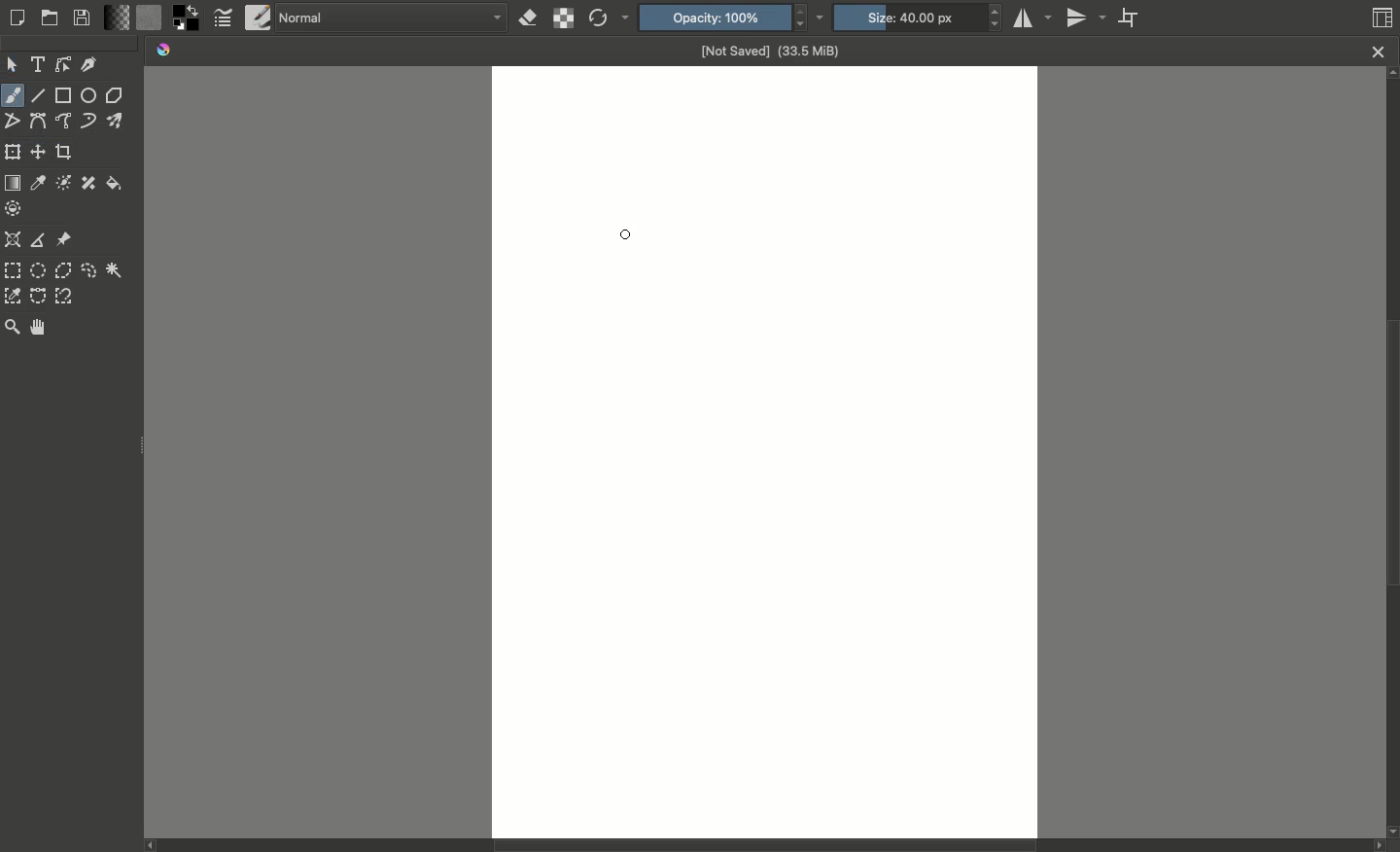 The image size is (1400, 852). Describe the element at coordinates (623, 236) in the screenshot. I see `Cursor` at that location.